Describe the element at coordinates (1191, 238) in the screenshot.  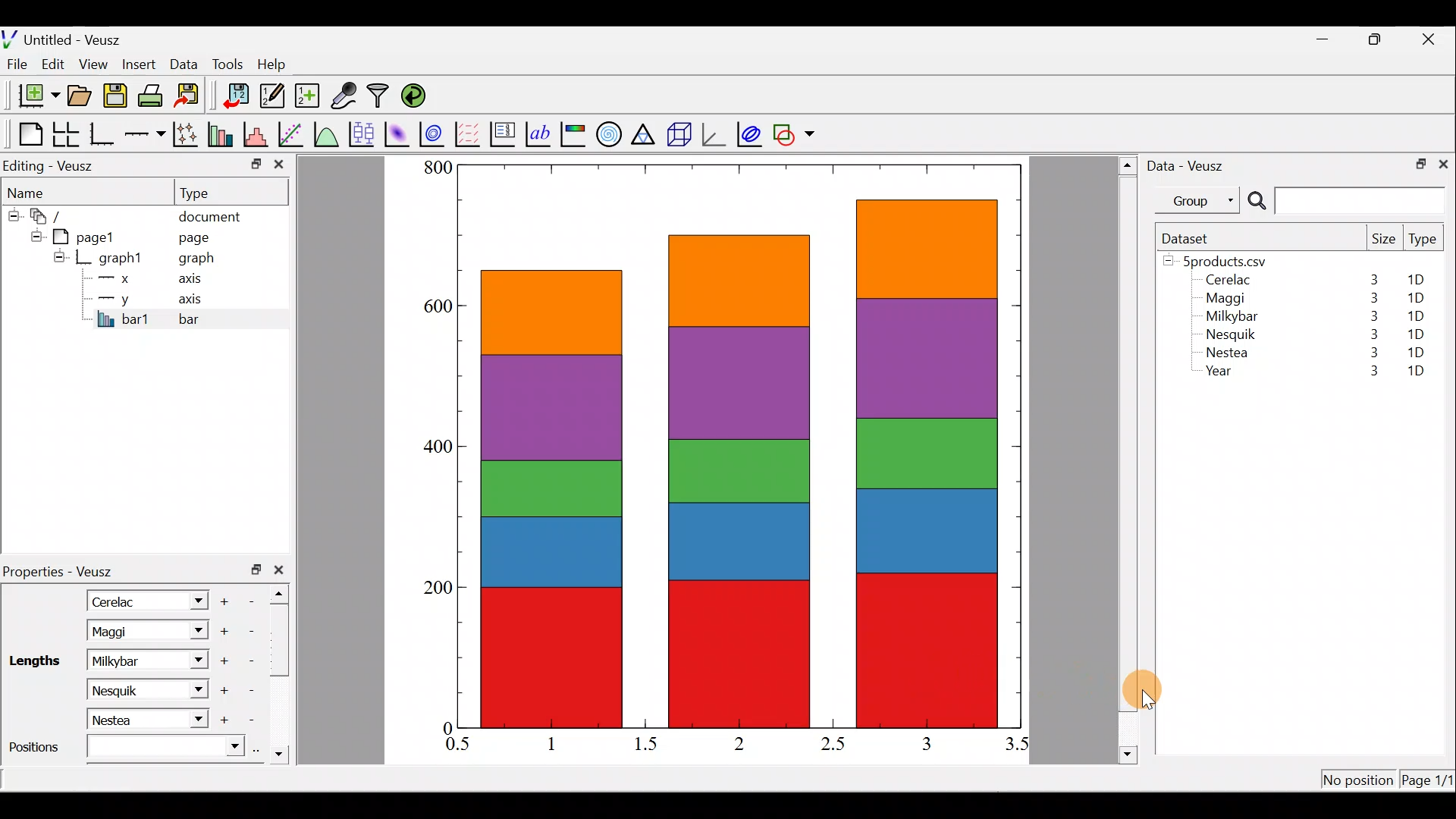
I see `Dataset` at that location.